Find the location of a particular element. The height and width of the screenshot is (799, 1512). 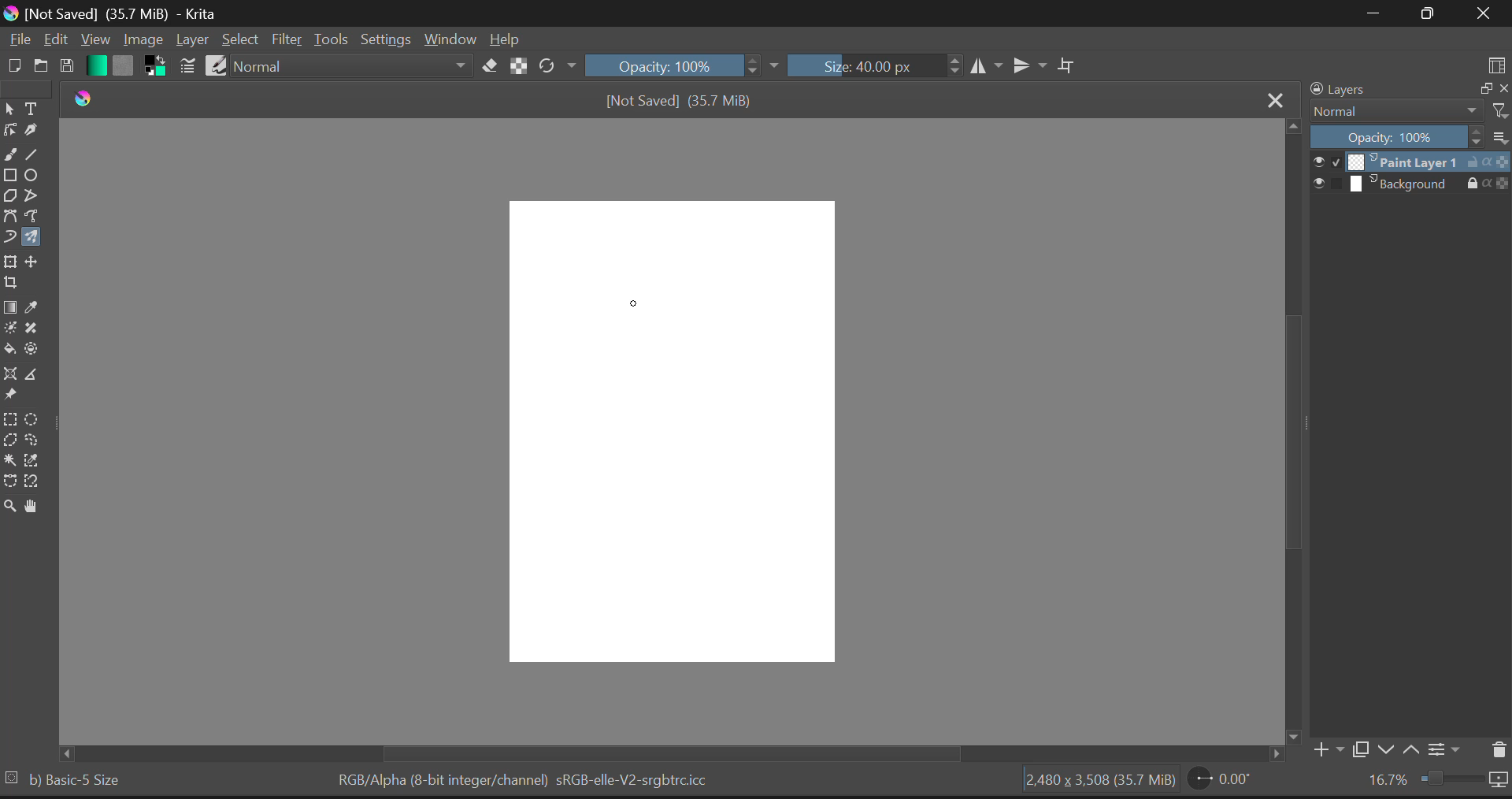

Lock Al is located at coordinates (517, 66).